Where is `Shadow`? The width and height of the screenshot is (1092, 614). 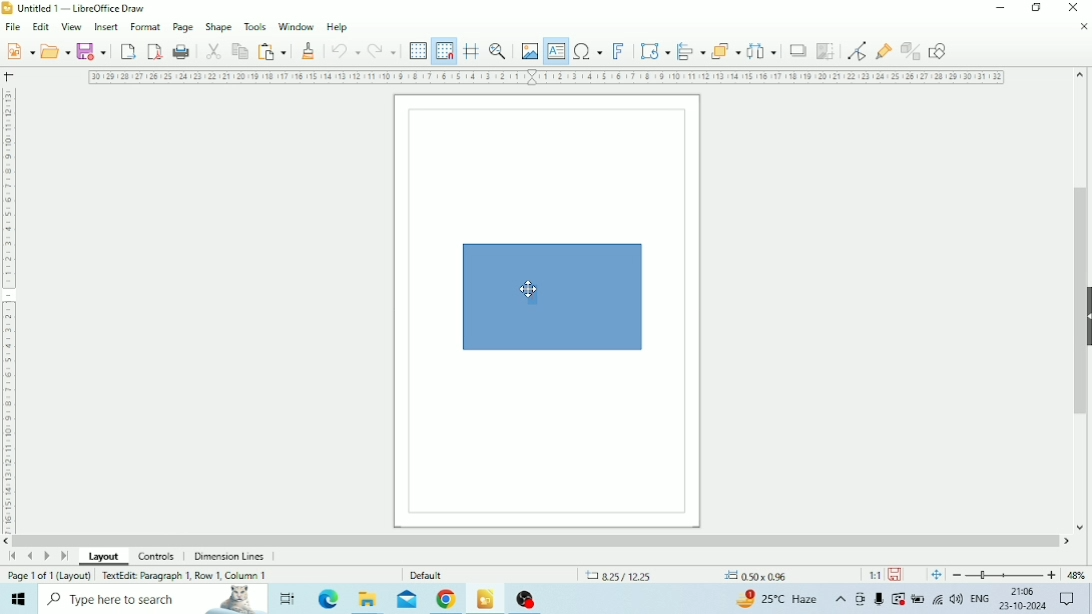 Shadow is located at coordinates (799, 50).